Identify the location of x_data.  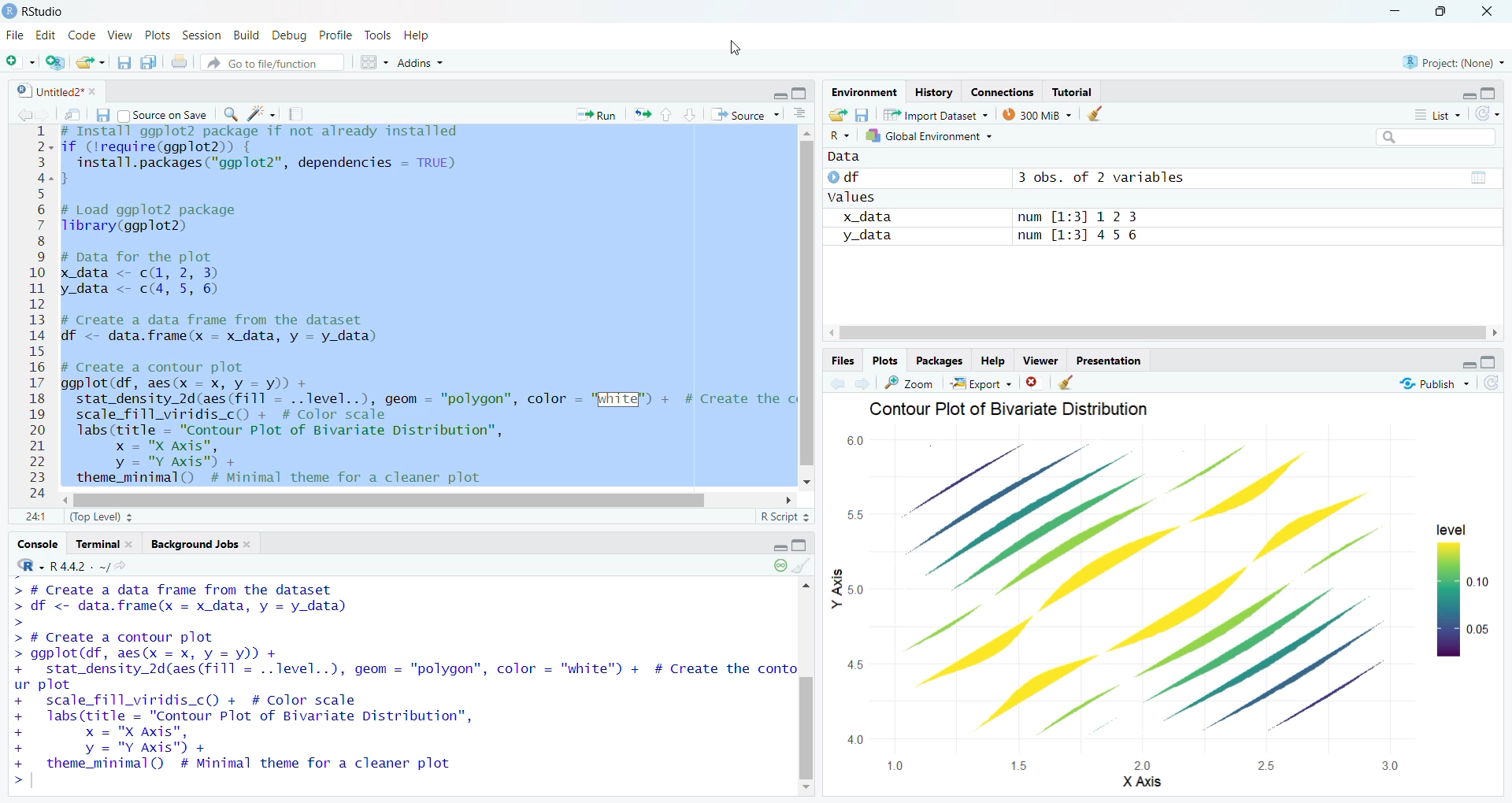
(862, 217).